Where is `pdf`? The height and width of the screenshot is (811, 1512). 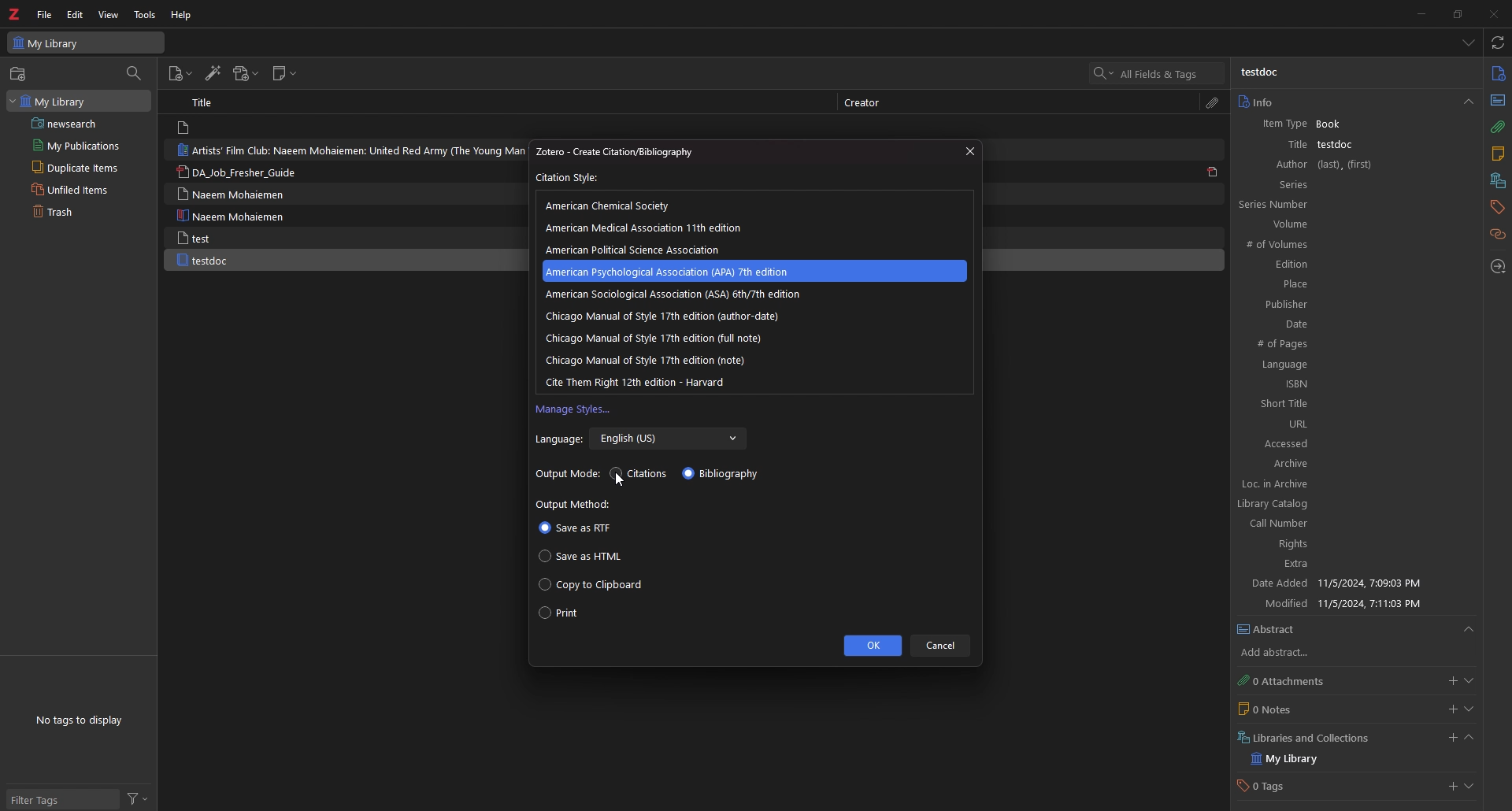
pdf is located at coordinates (1213, 171).